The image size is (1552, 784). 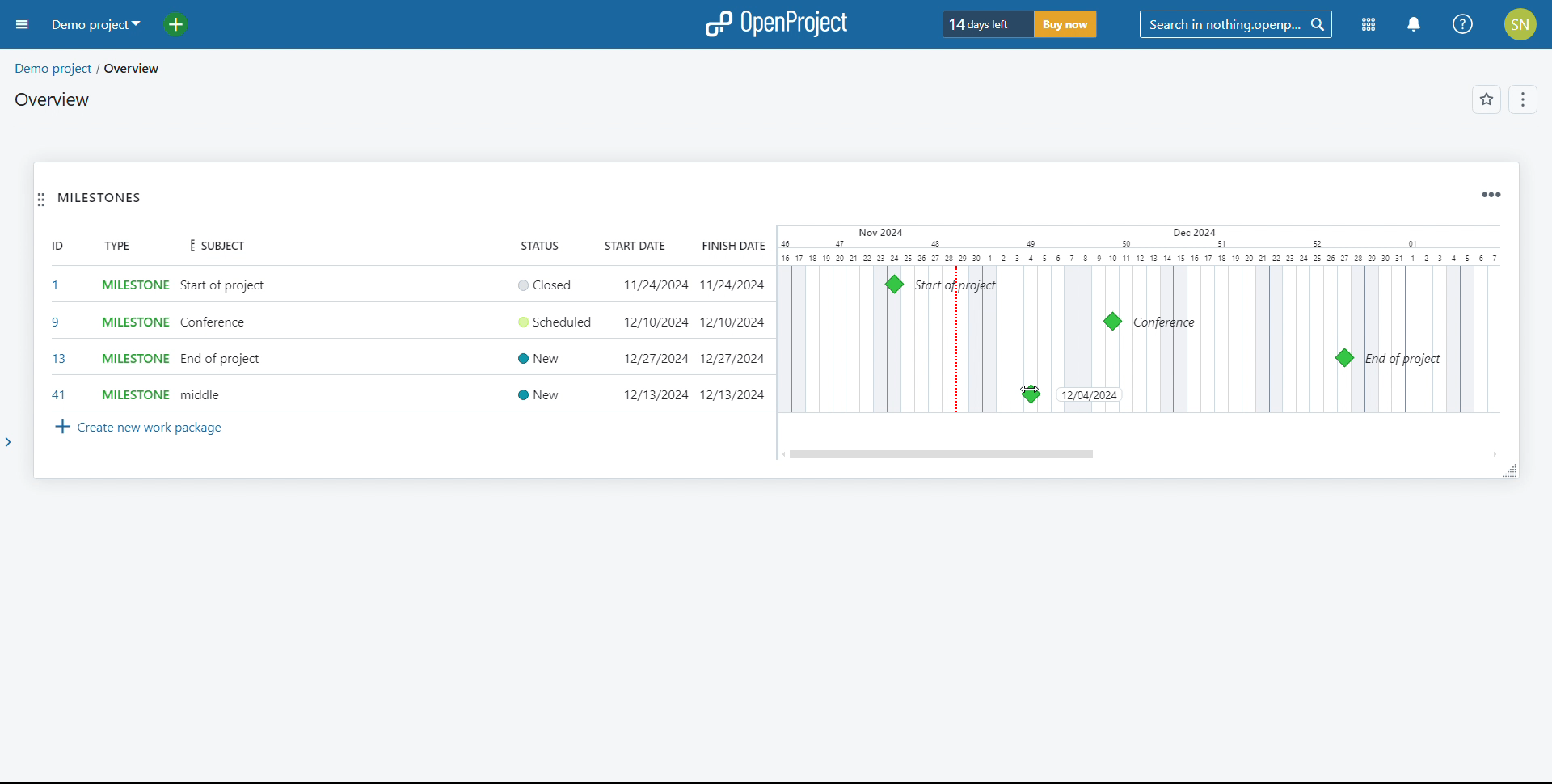 I want to click on resize, so click(x=1509, y=470).